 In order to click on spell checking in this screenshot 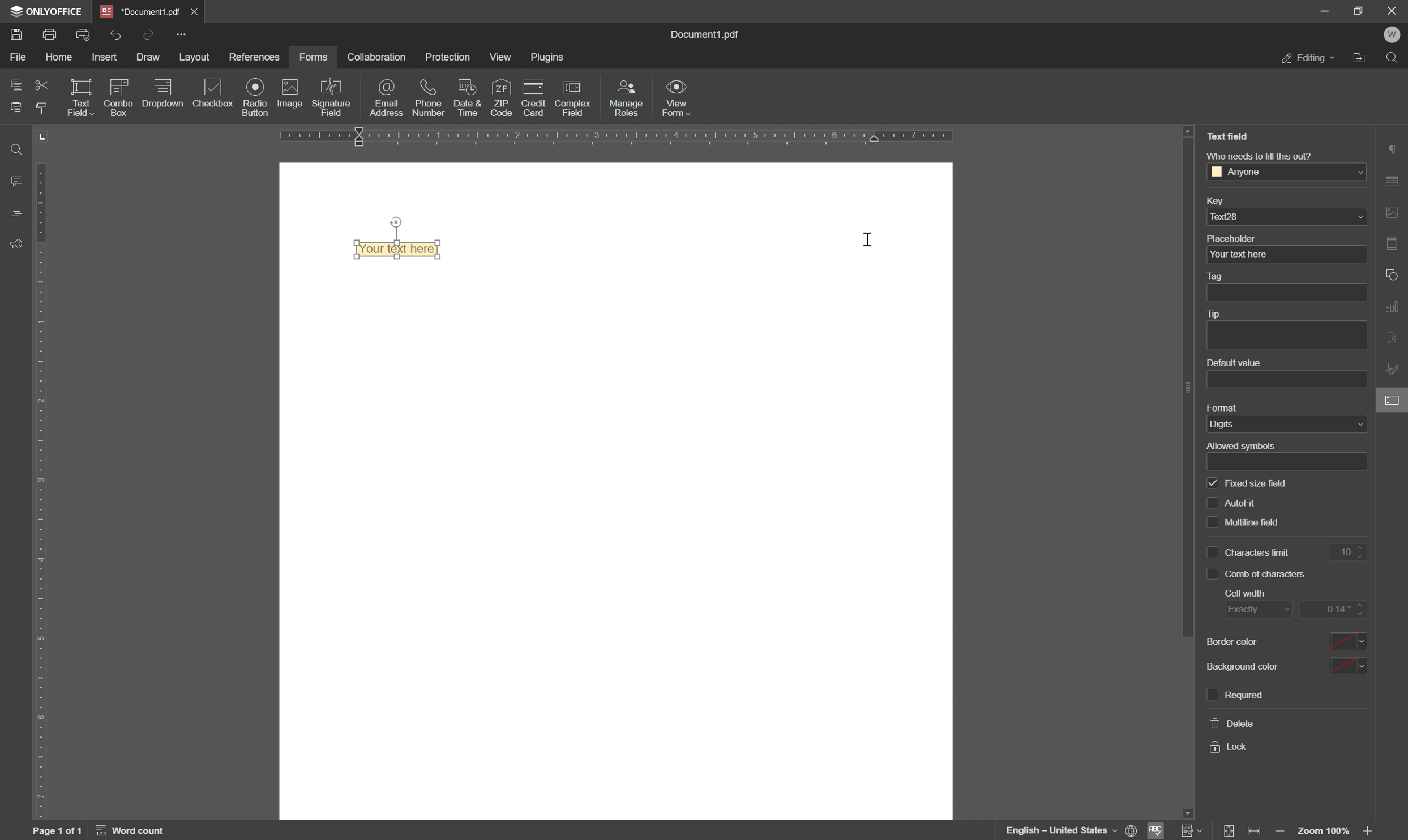, I will do `click(1158, 830)`.